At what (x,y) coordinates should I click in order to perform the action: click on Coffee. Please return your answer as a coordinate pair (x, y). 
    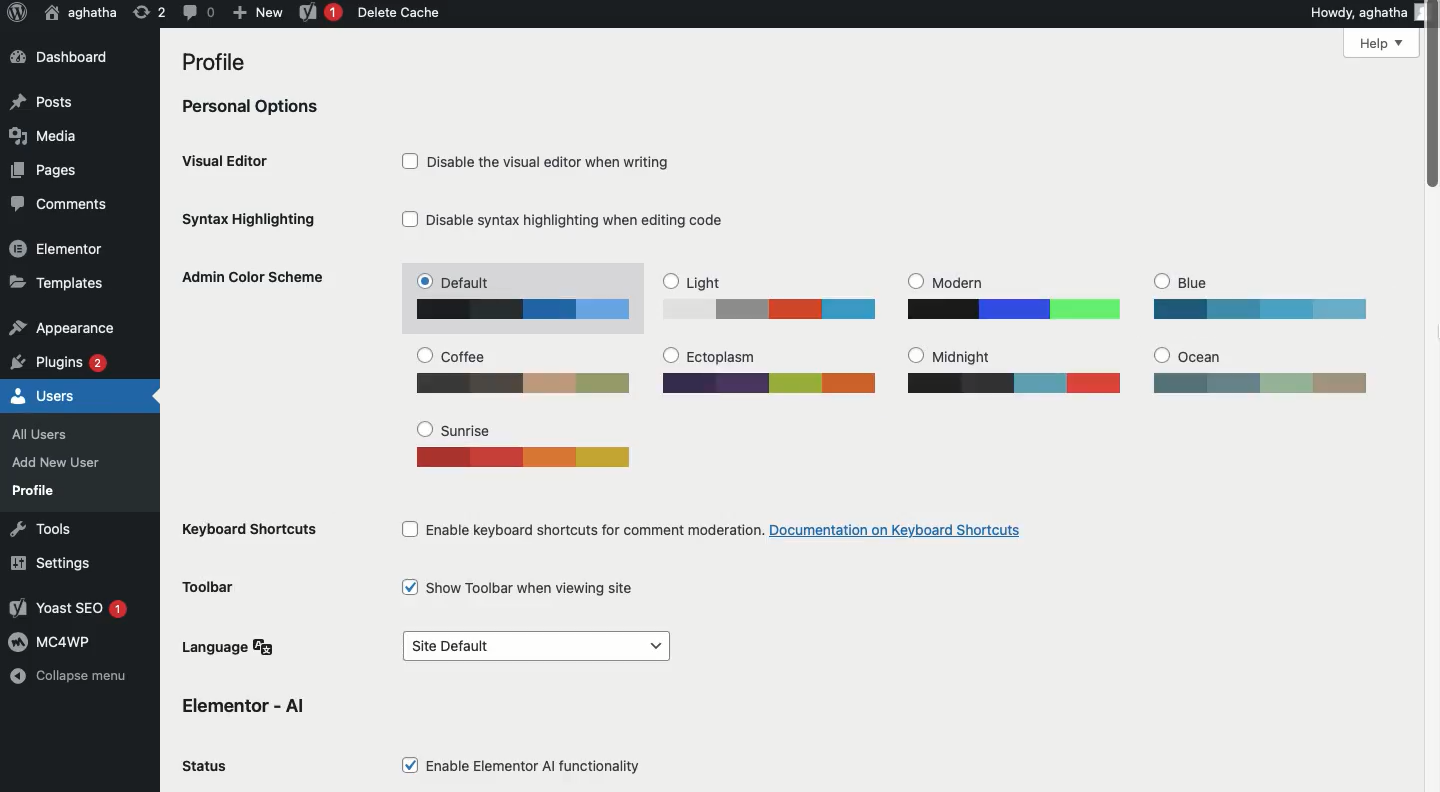
    Looking at the image, I should click on (521, 372).